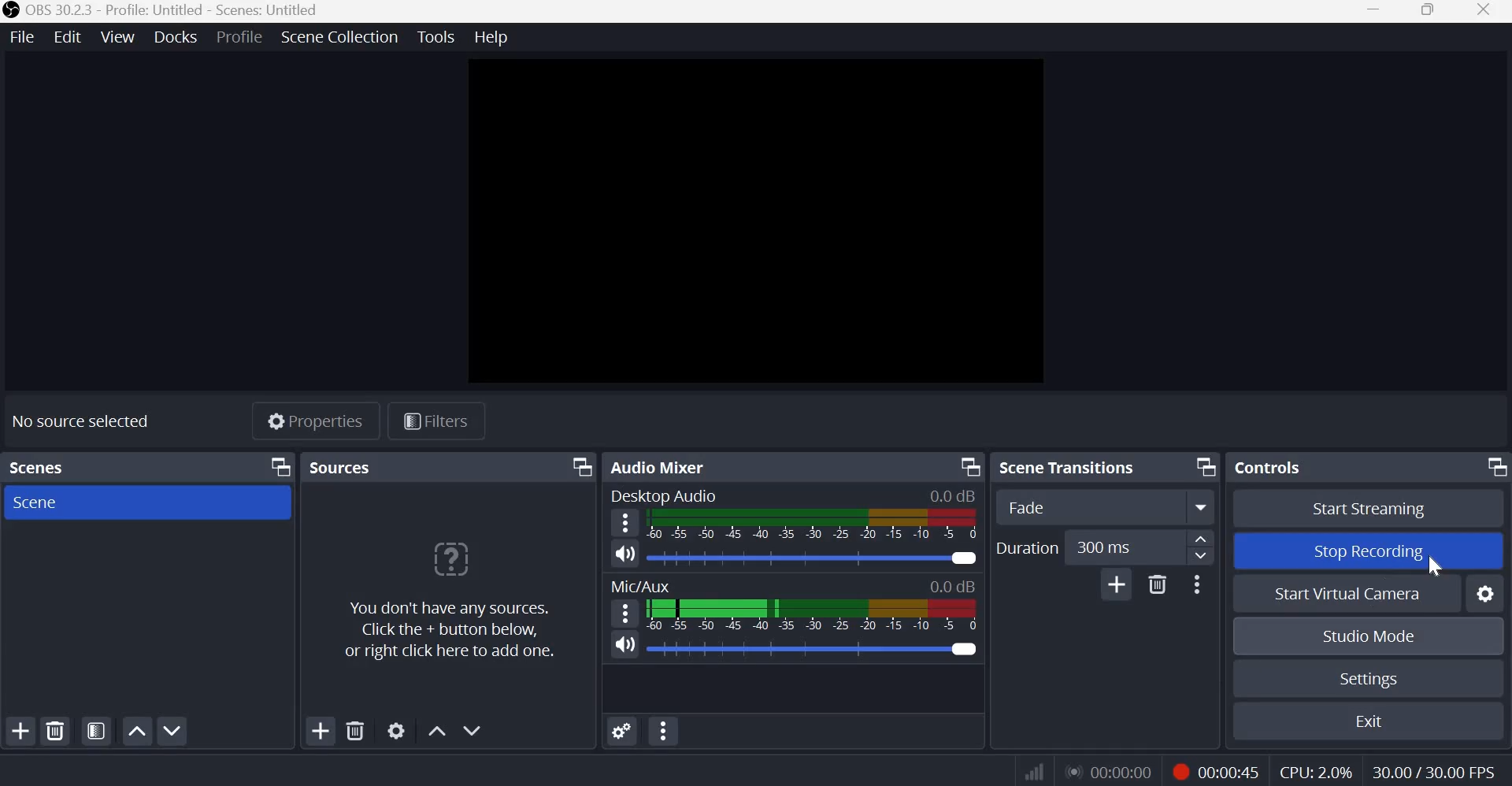  Describe the element at coordinates (172, 732) in the screenshot. I see `Move scene down` at that location.